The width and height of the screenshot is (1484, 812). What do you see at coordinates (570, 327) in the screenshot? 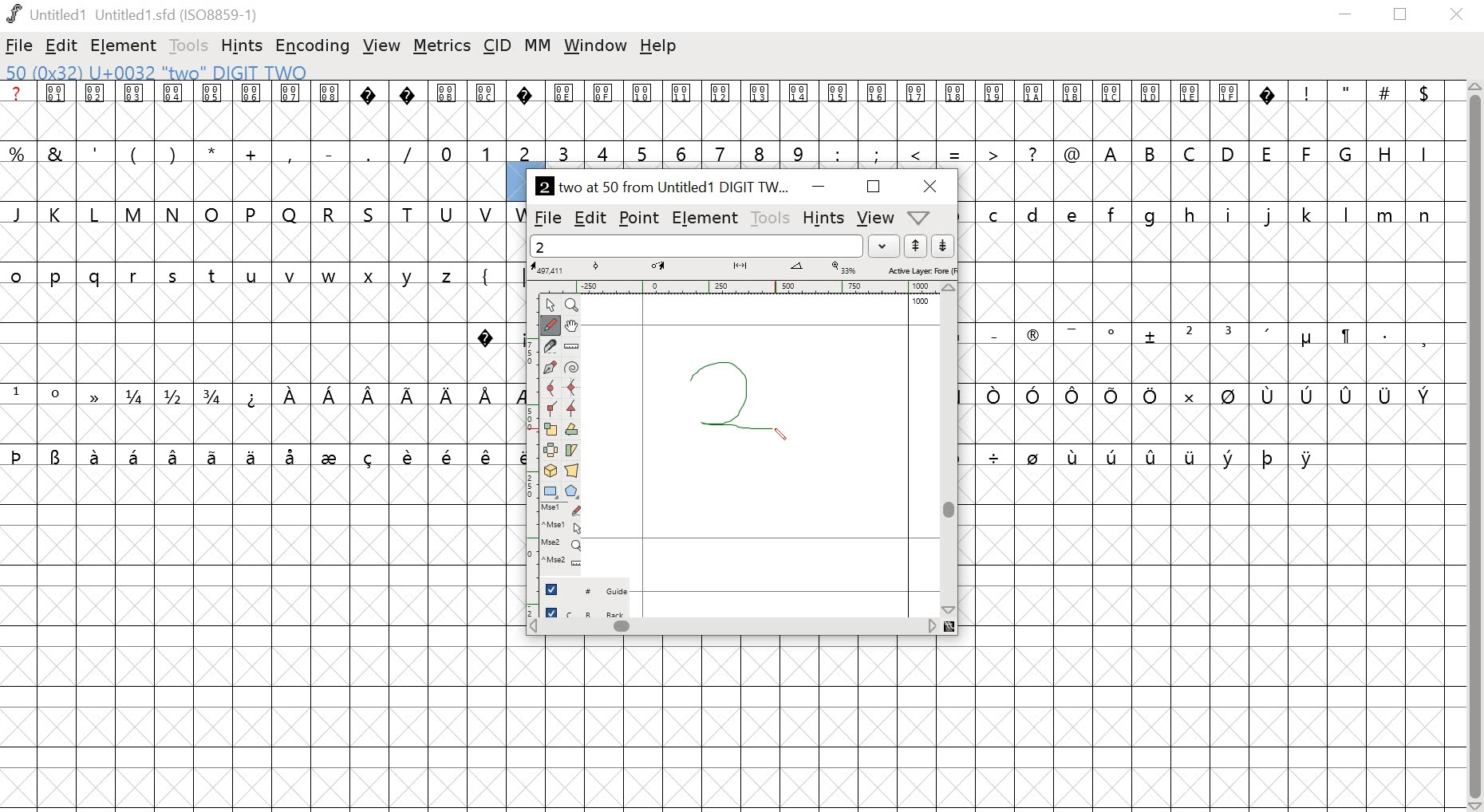
I see `pan` at bounding box center [570, 327].